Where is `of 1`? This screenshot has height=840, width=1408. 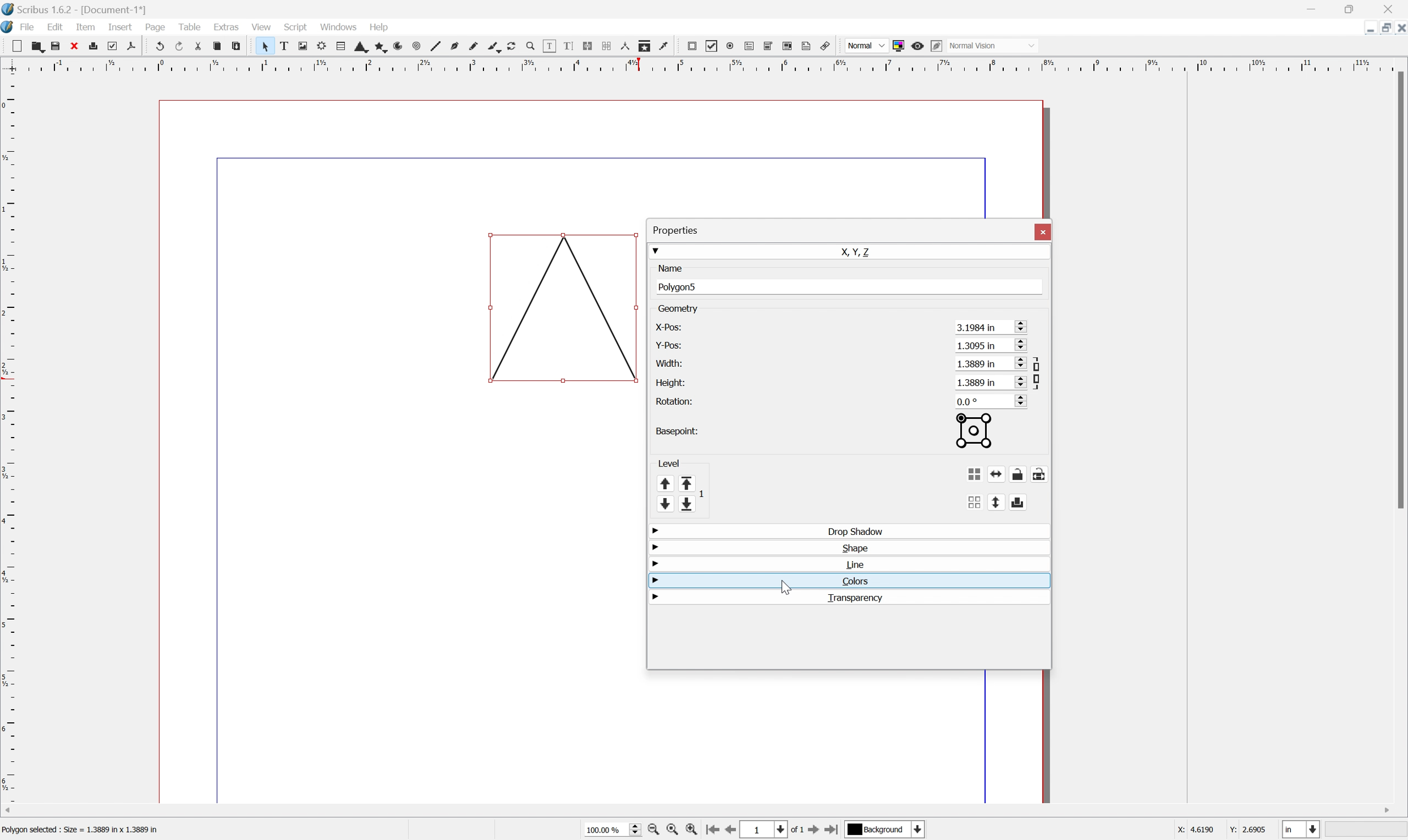
of 1 is located at coordinates (798, 830).